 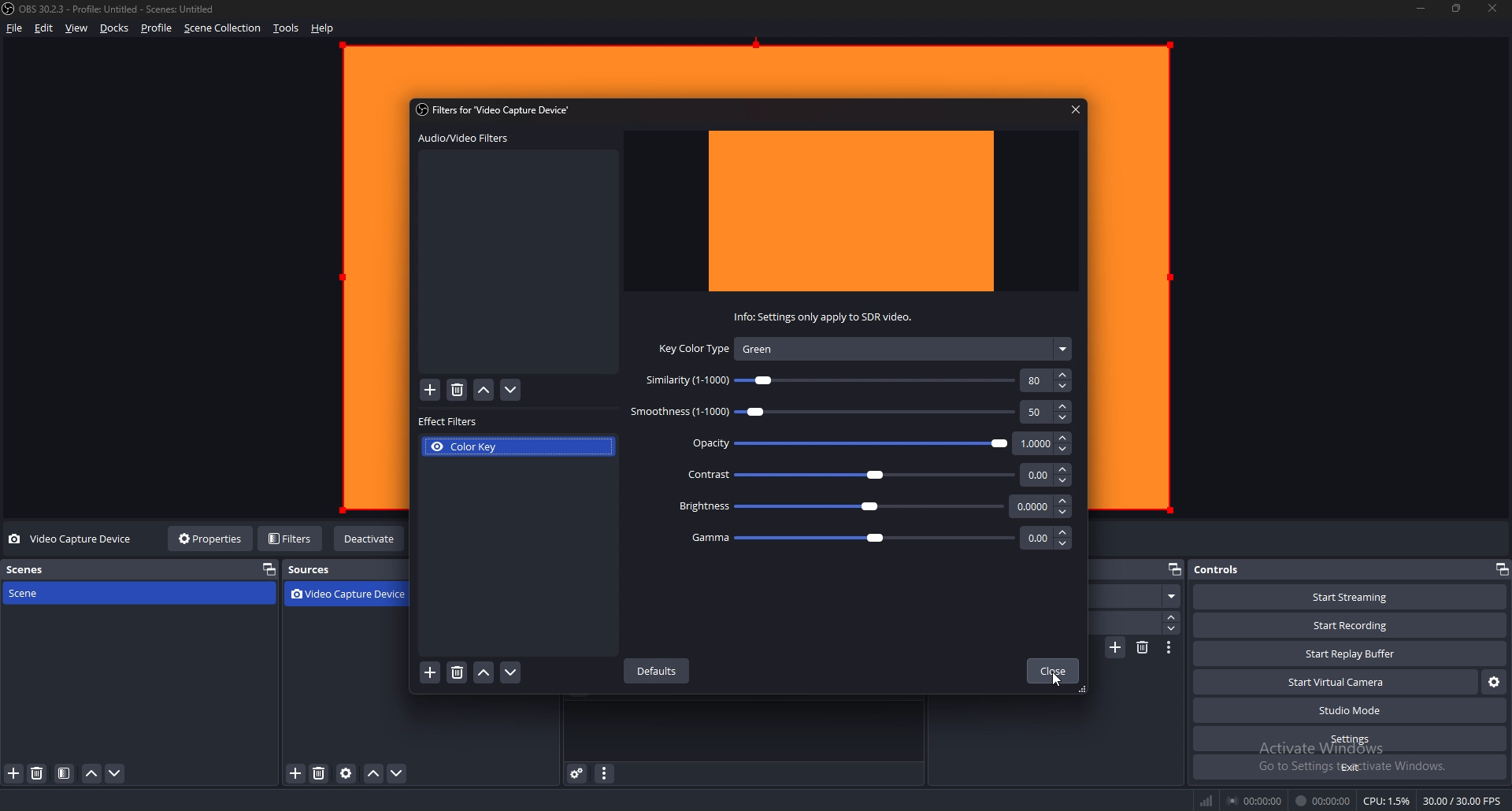 What do you see at coordinates (511, 391) in the screenshot?
I see `move filter down` at bounding box center [511, 391].